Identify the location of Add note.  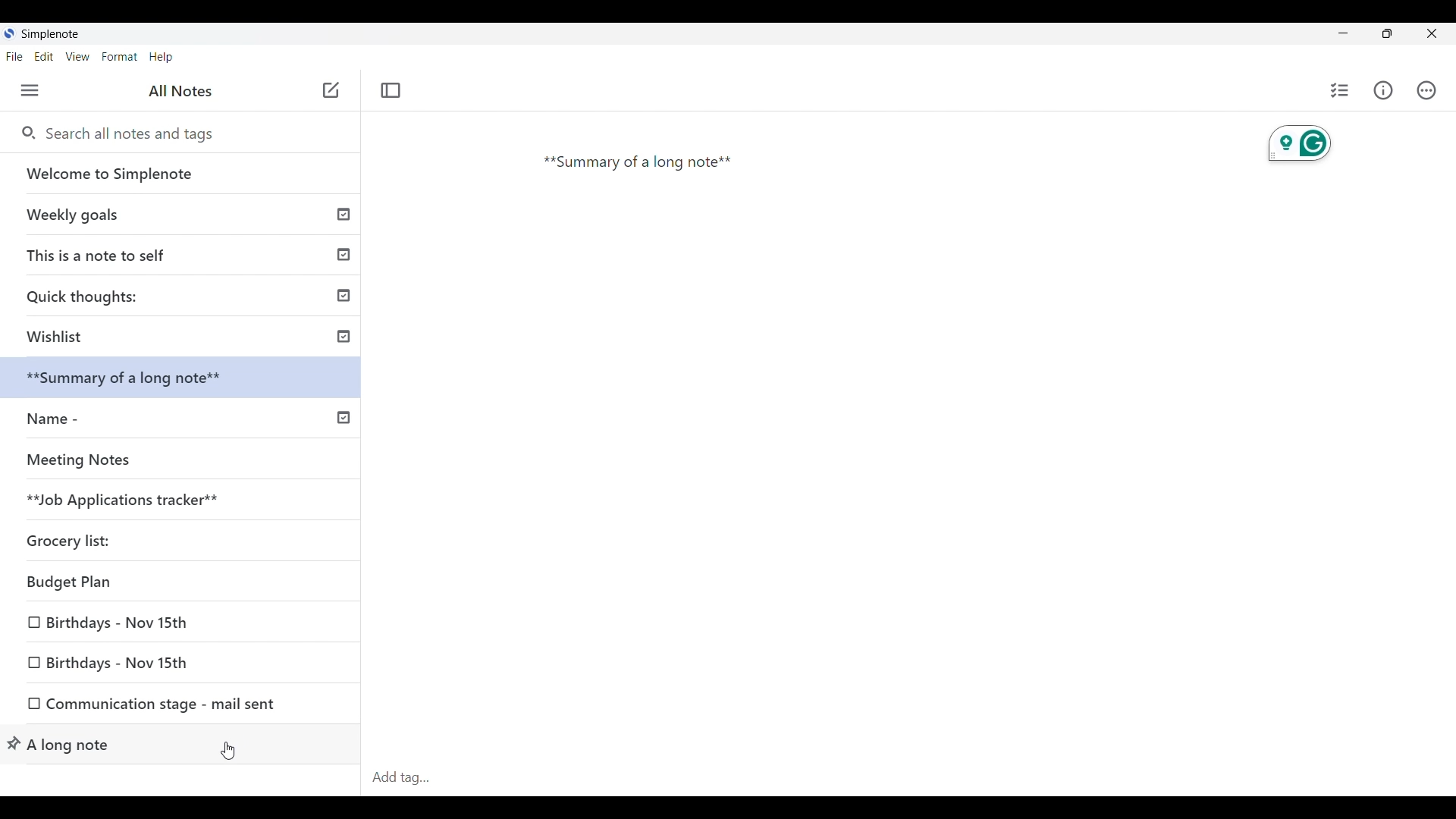
(329, 91).